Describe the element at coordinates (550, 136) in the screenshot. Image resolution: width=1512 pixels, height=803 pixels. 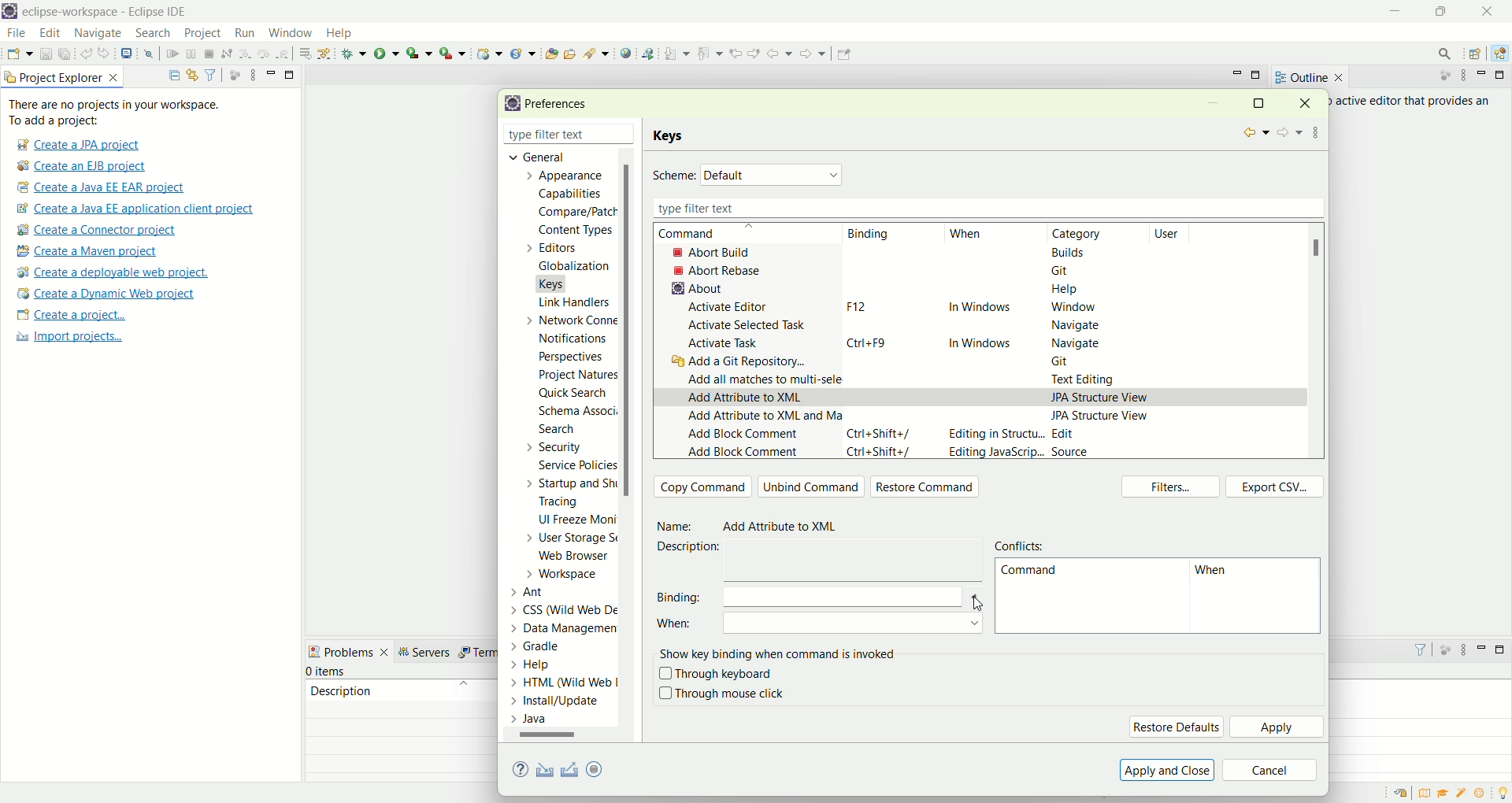
I see `type filter text` at that location.